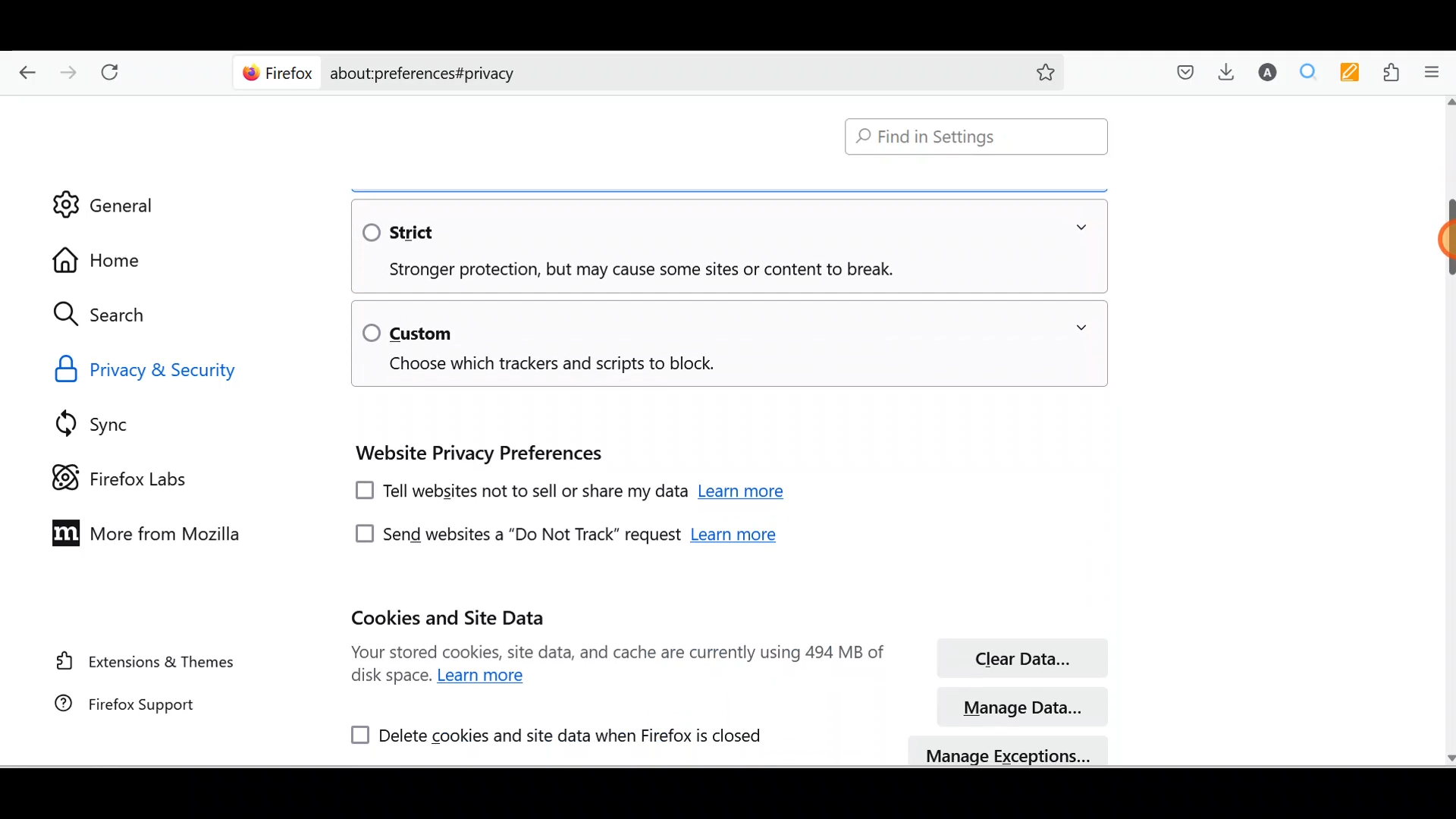 The width and height of the screenshot is (1456, 819). What do you see at coordinates (548, 733) in the screenshot?
I see `Delete cookies and site data when Firefox is closed` at bounding box center [548, 733].